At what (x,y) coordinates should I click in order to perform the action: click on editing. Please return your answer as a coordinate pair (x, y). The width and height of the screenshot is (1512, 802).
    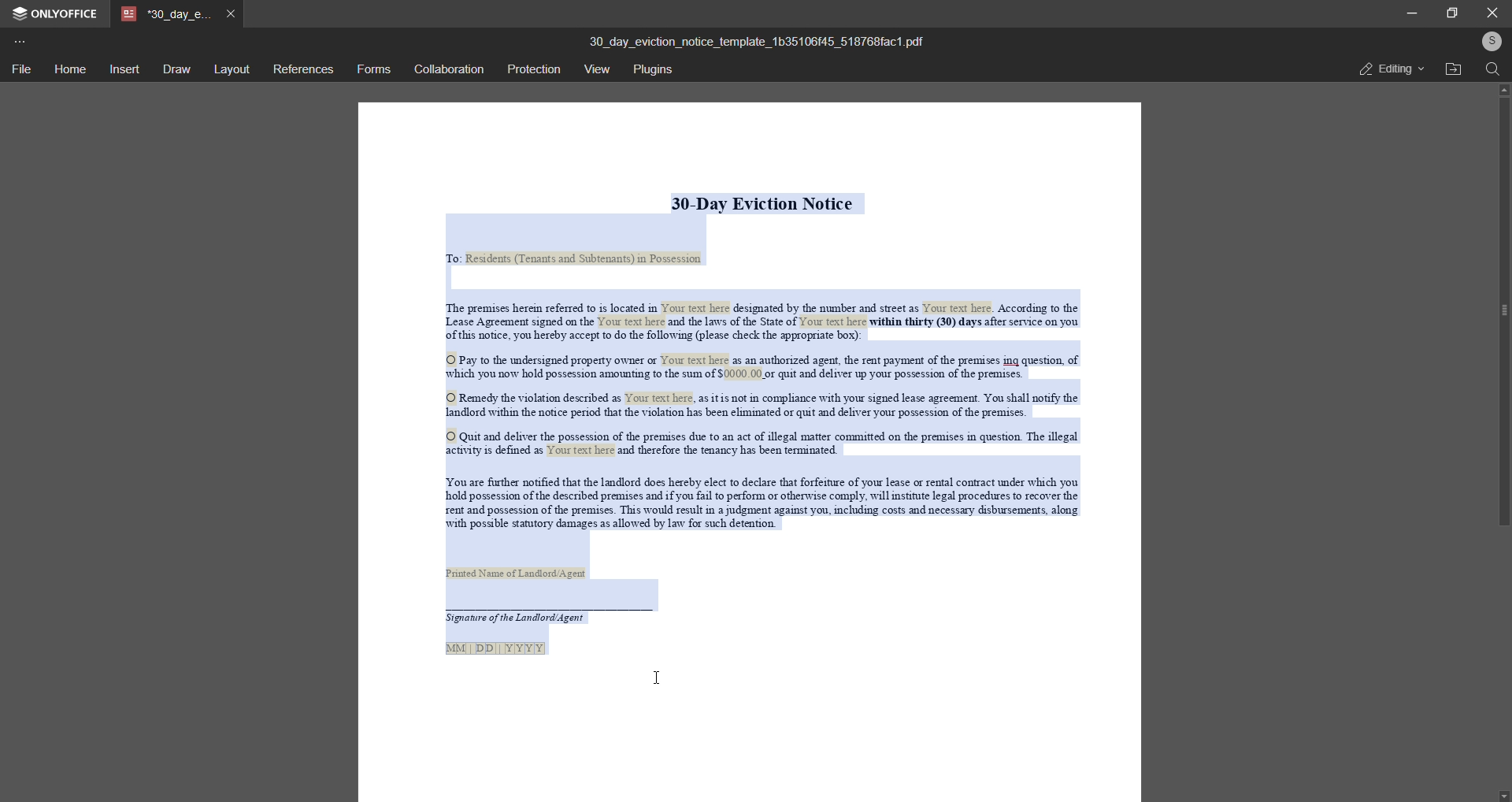
    Looking at the image, I should click on (1385, 69).